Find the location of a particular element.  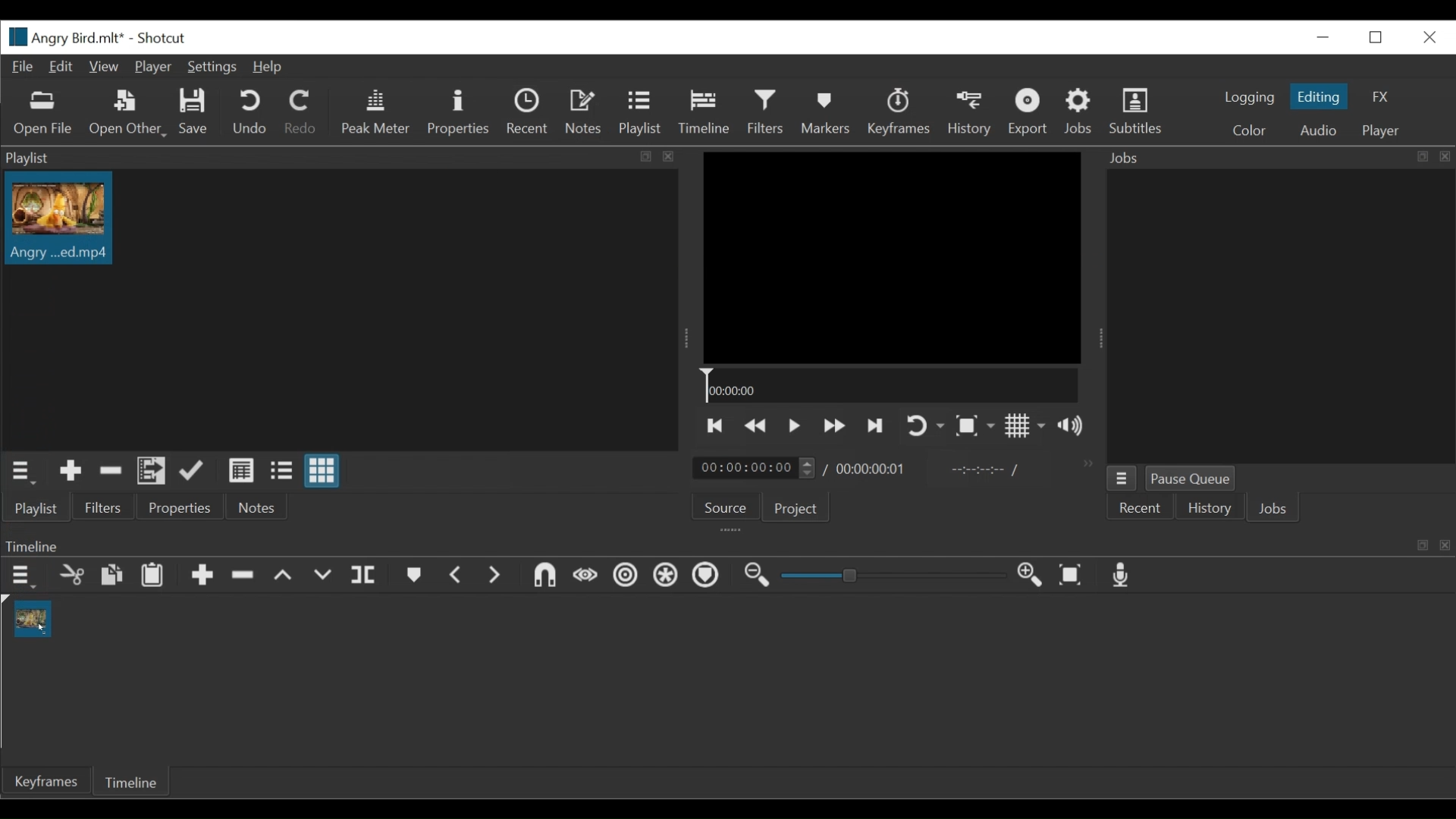

Toggle play or pause (space) is located at coordinates (794, 426).